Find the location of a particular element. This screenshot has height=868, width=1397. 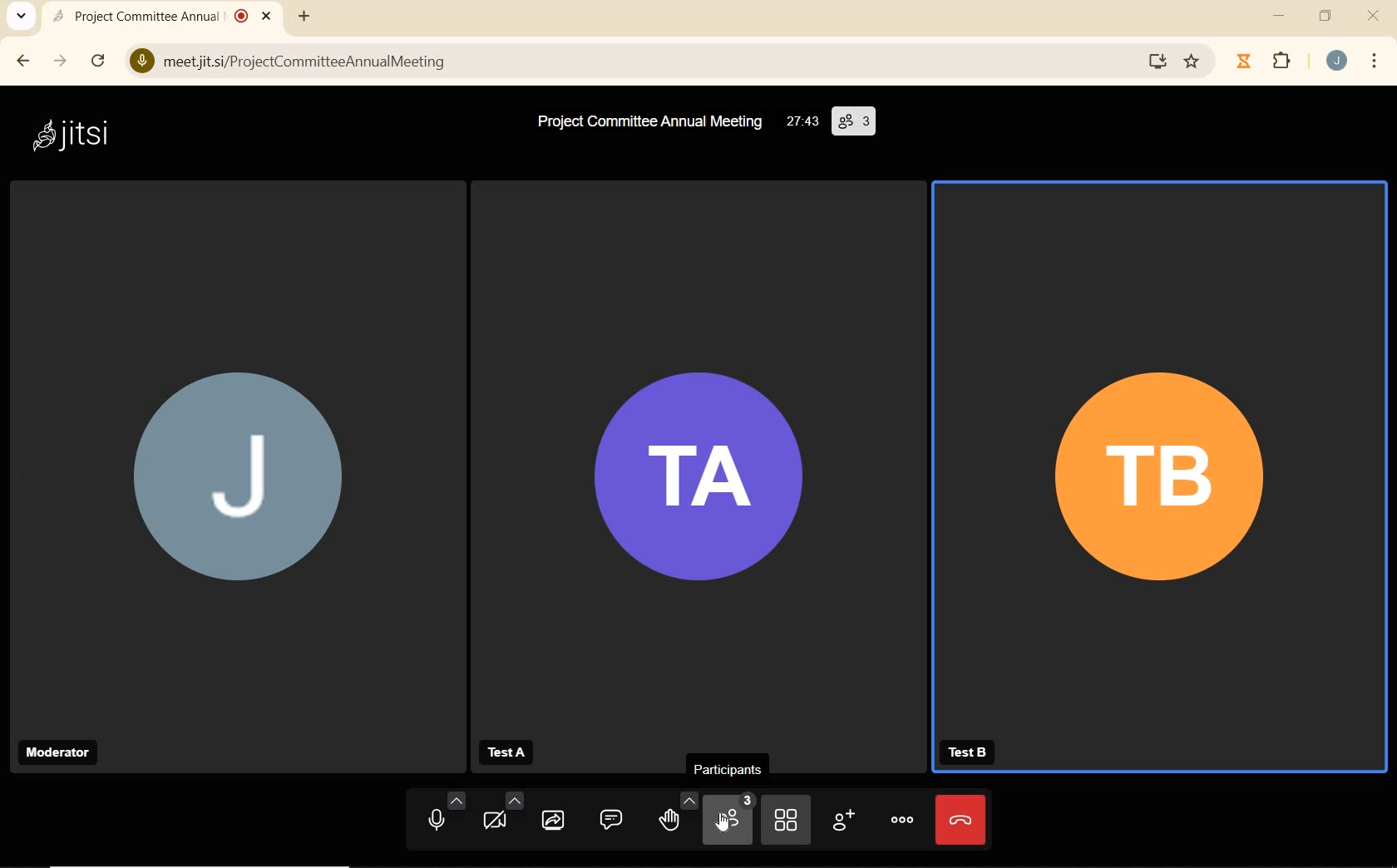

START SCREEN SHARE is located at coordinates (554, 814).